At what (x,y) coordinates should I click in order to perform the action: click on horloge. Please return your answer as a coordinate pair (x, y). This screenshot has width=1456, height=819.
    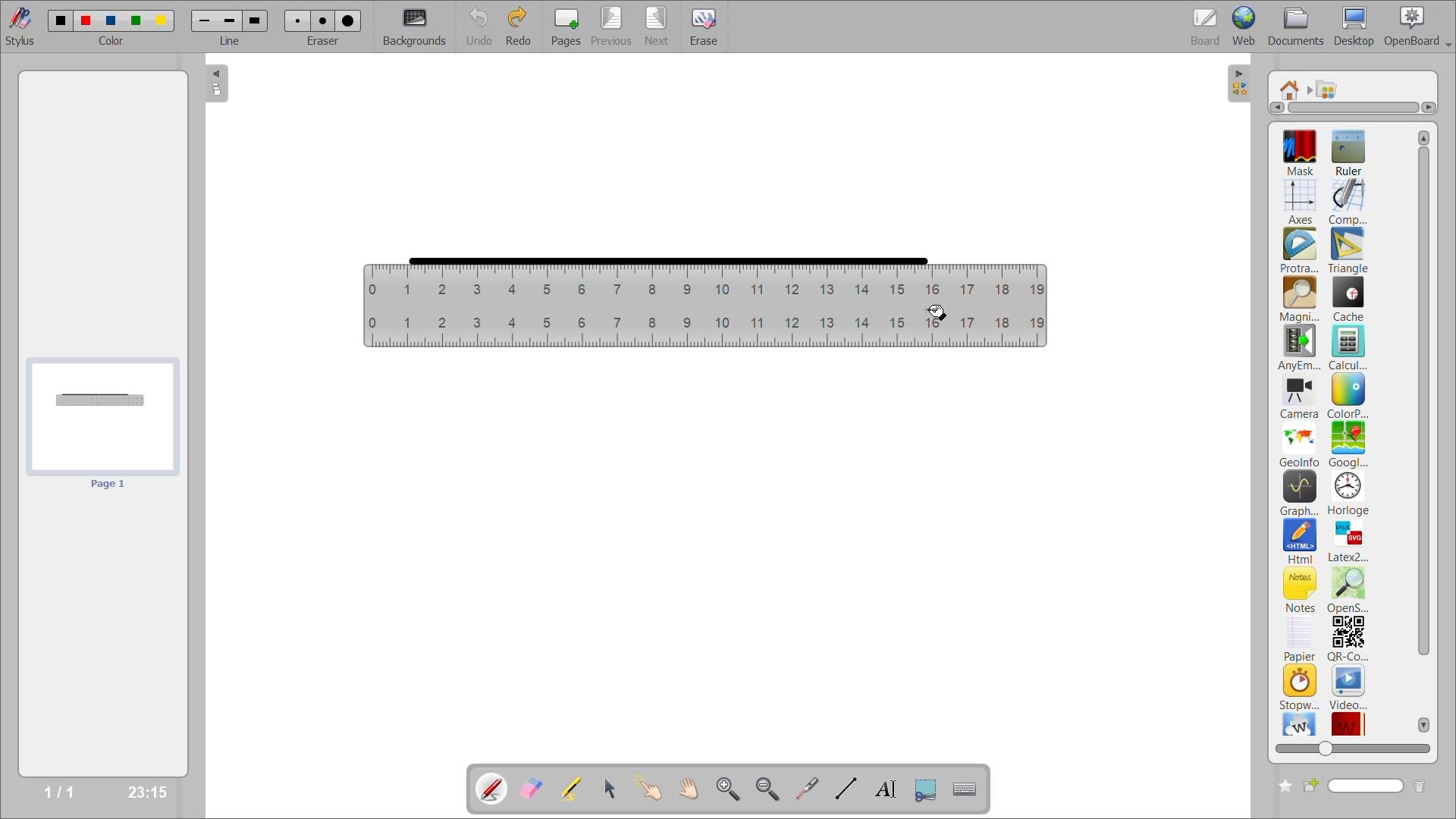
    Looking at the image, I should click on (1349, 493).